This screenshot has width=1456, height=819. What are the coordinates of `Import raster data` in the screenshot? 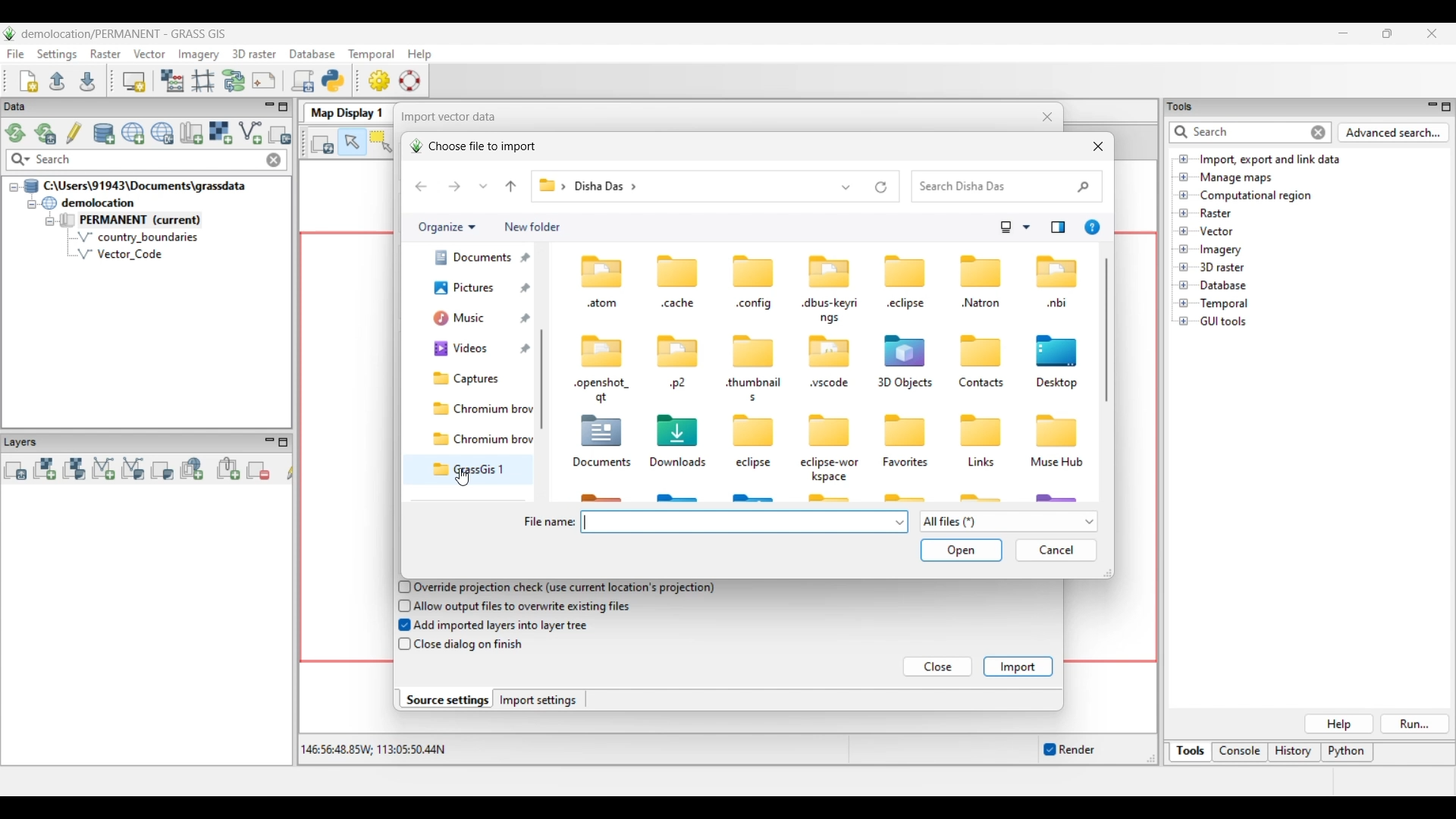 It's located at (220, 133).